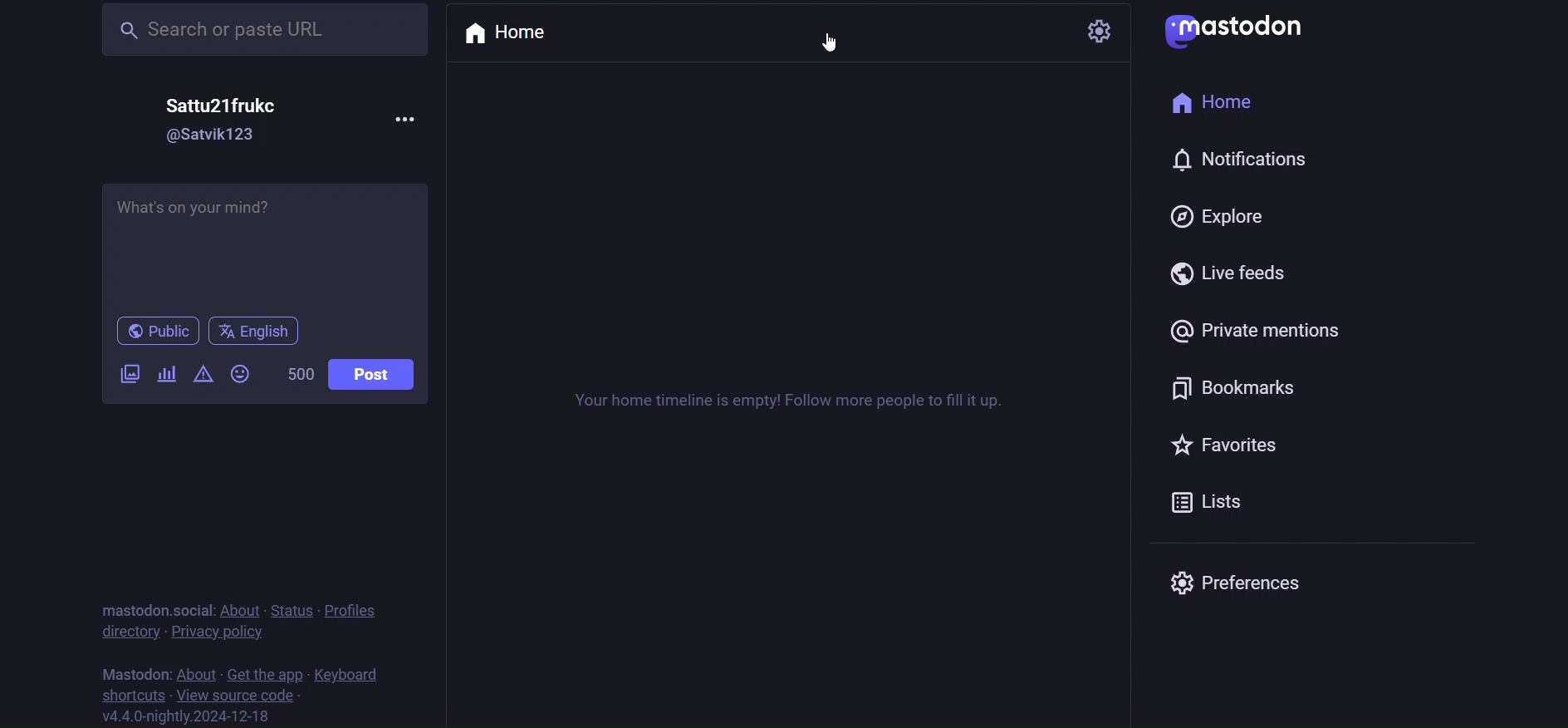 The image size is (1568, 728). I want to click on private mention, so click(1259, 329).